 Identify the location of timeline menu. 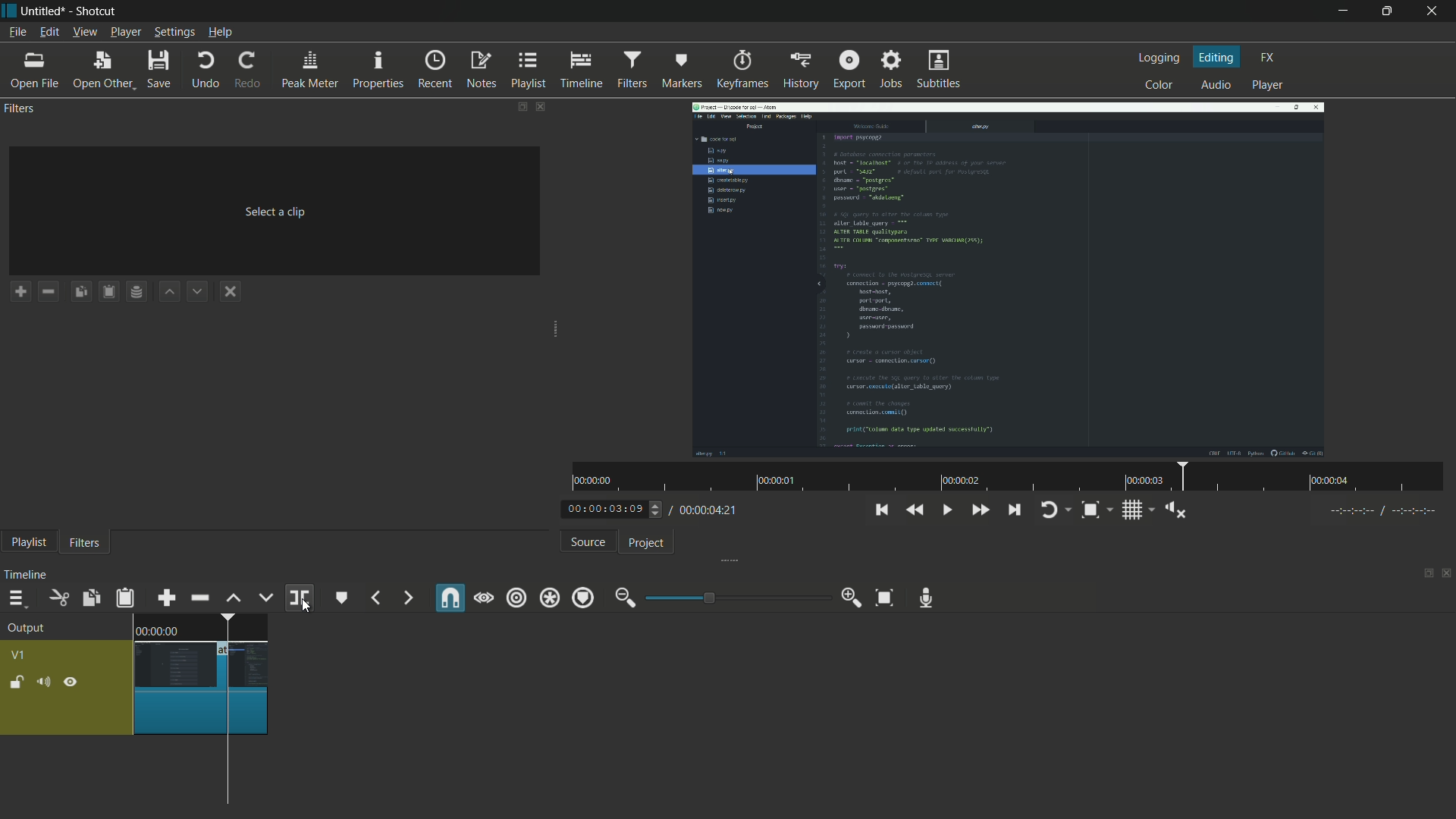
(16, 598).